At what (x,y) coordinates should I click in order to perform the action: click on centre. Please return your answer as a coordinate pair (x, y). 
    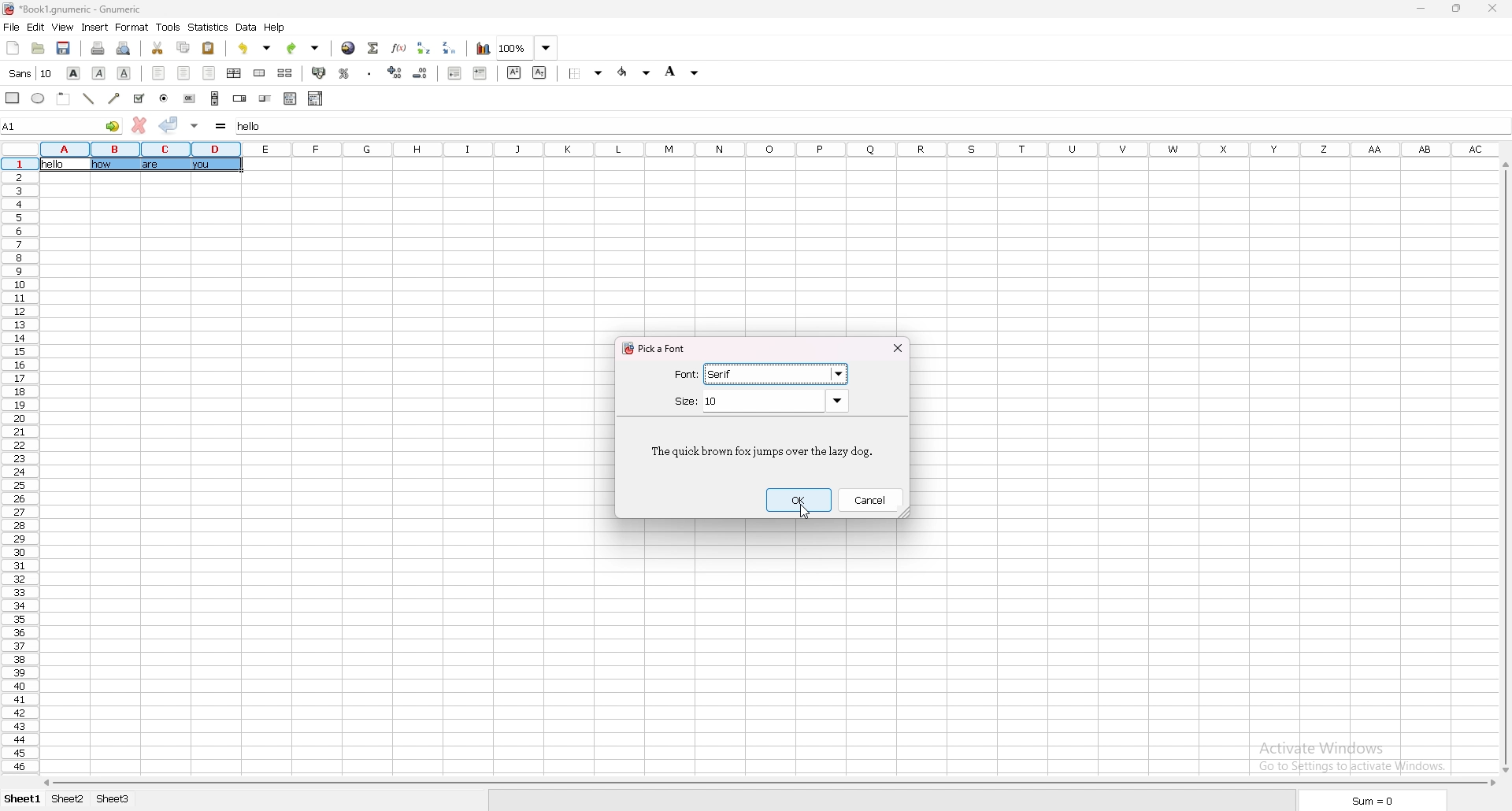
    Looking at the image, I should click on (183, 73).